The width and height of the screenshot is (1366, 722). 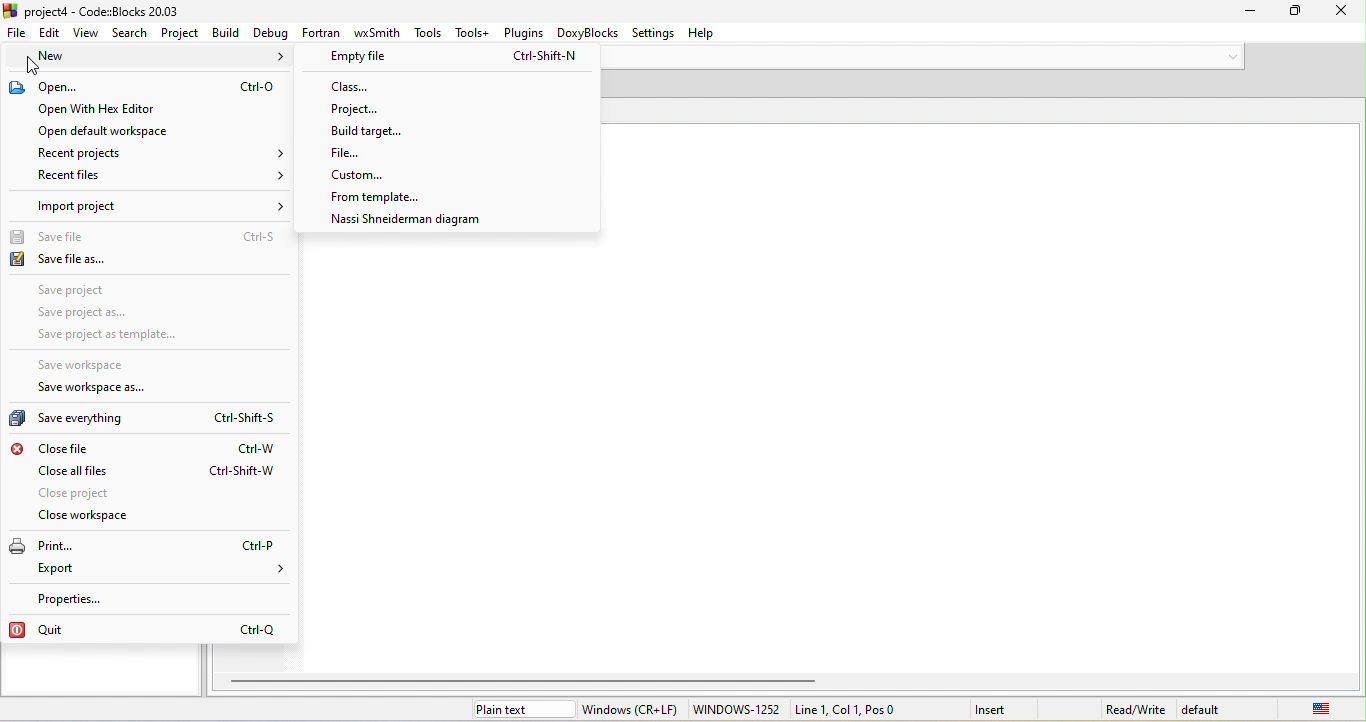 What do you see at coordinates (16, 35) in the screenshot?
I see `file` at bounding box center [16, 35].